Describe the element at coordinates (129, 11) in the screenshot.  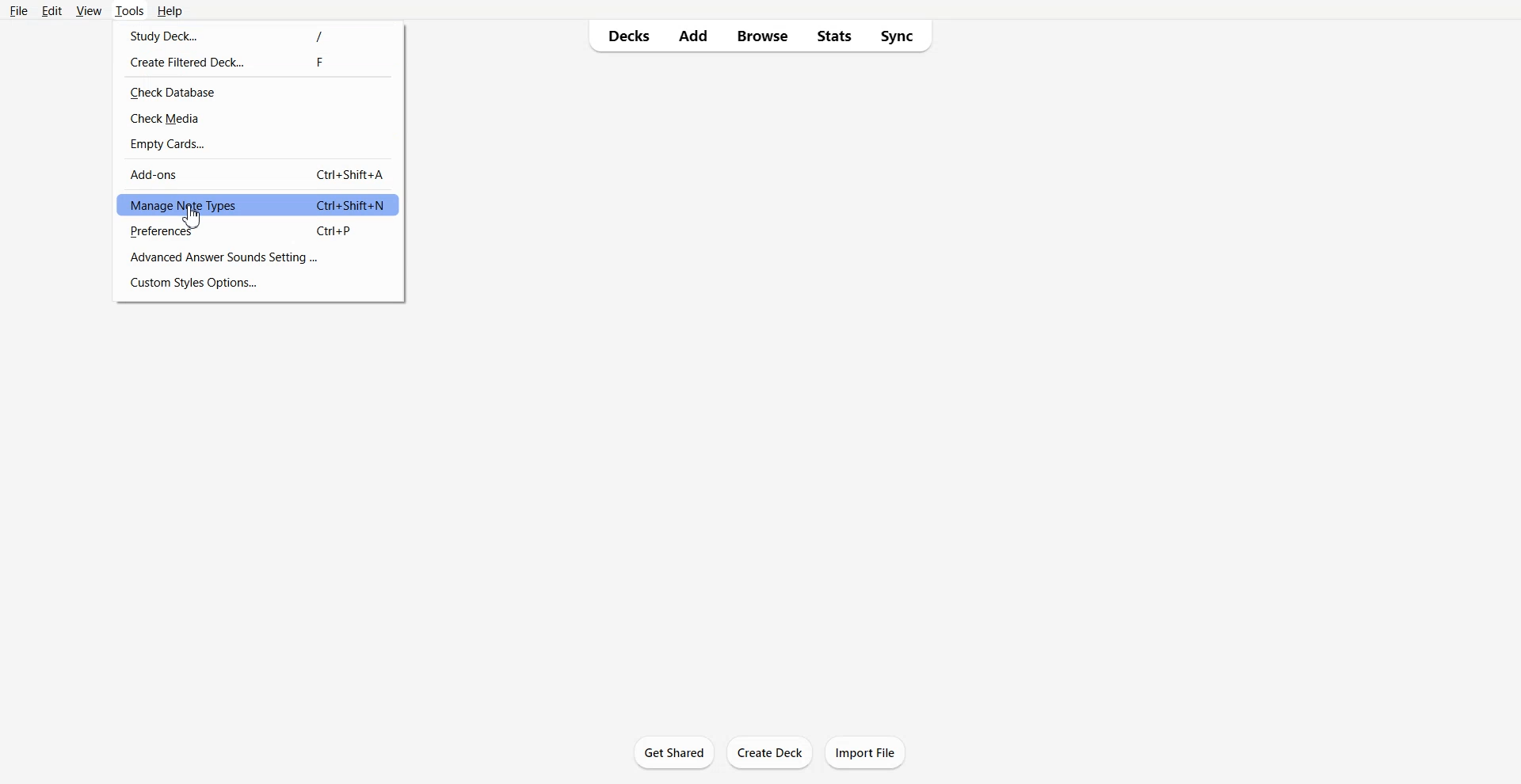
I see `Tools` at that location.